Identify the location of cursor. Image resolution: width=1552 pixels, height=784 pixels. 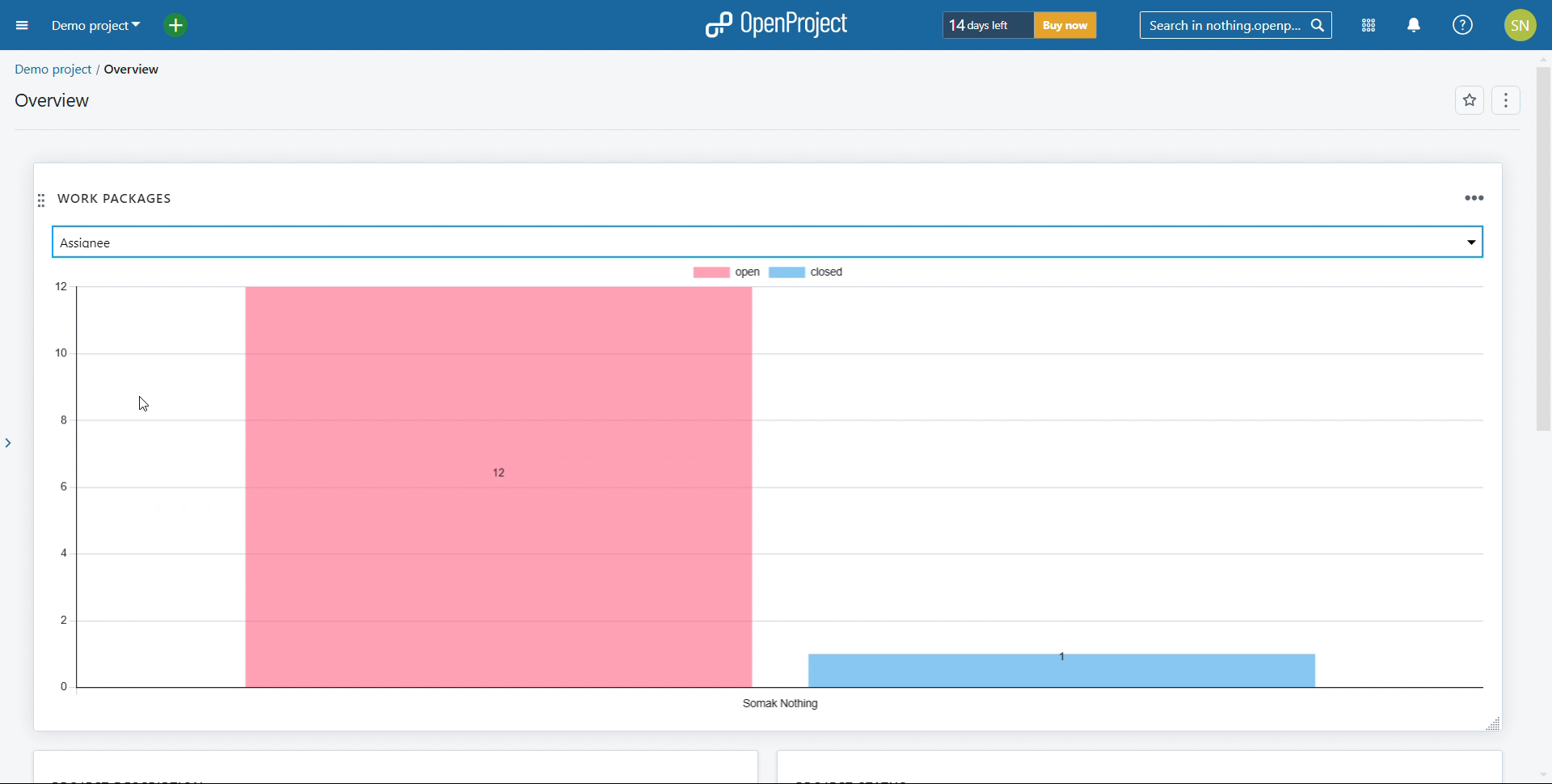
(141, 400).